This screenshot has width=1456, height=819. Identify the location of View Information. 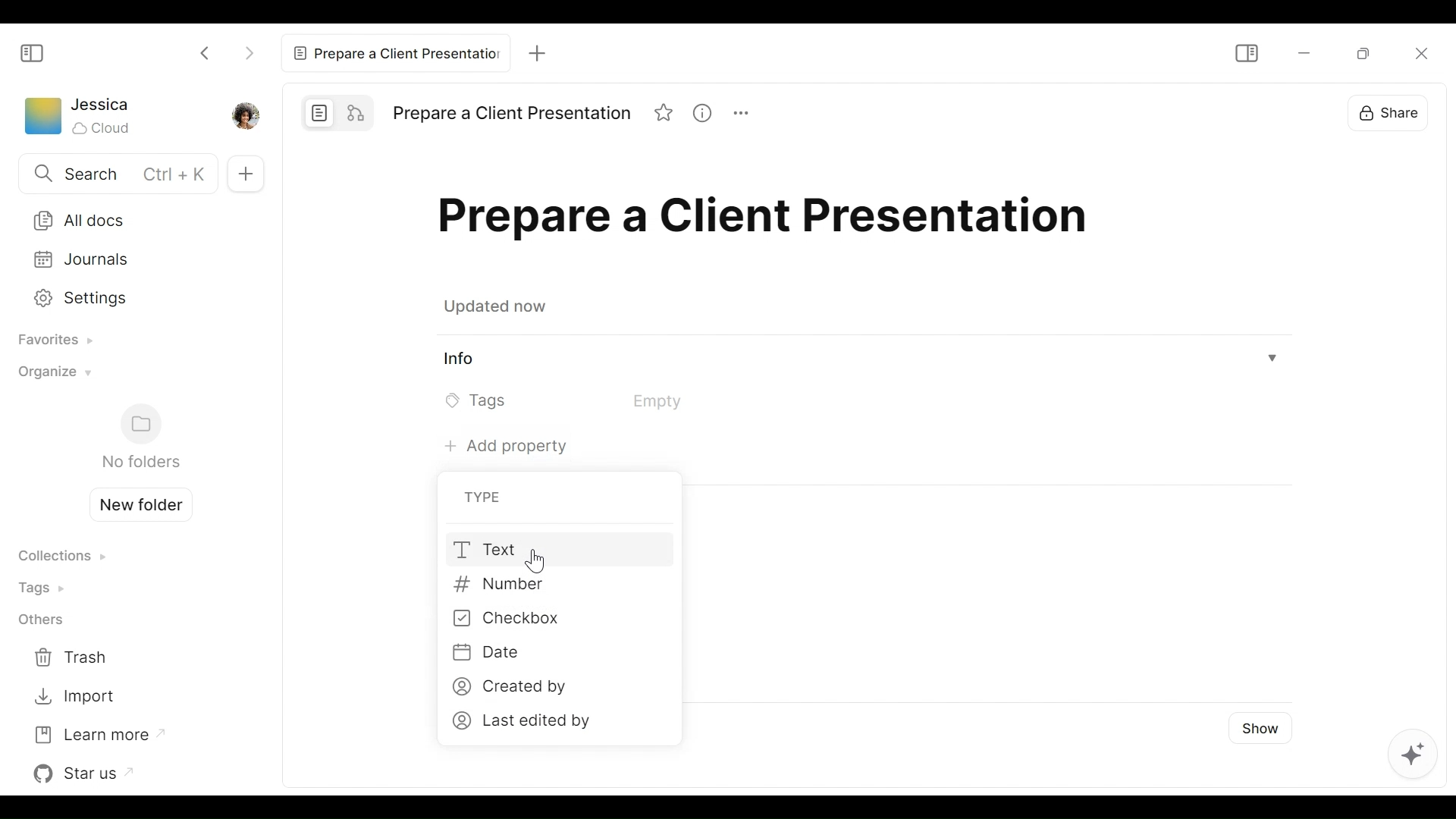
(861, 360).